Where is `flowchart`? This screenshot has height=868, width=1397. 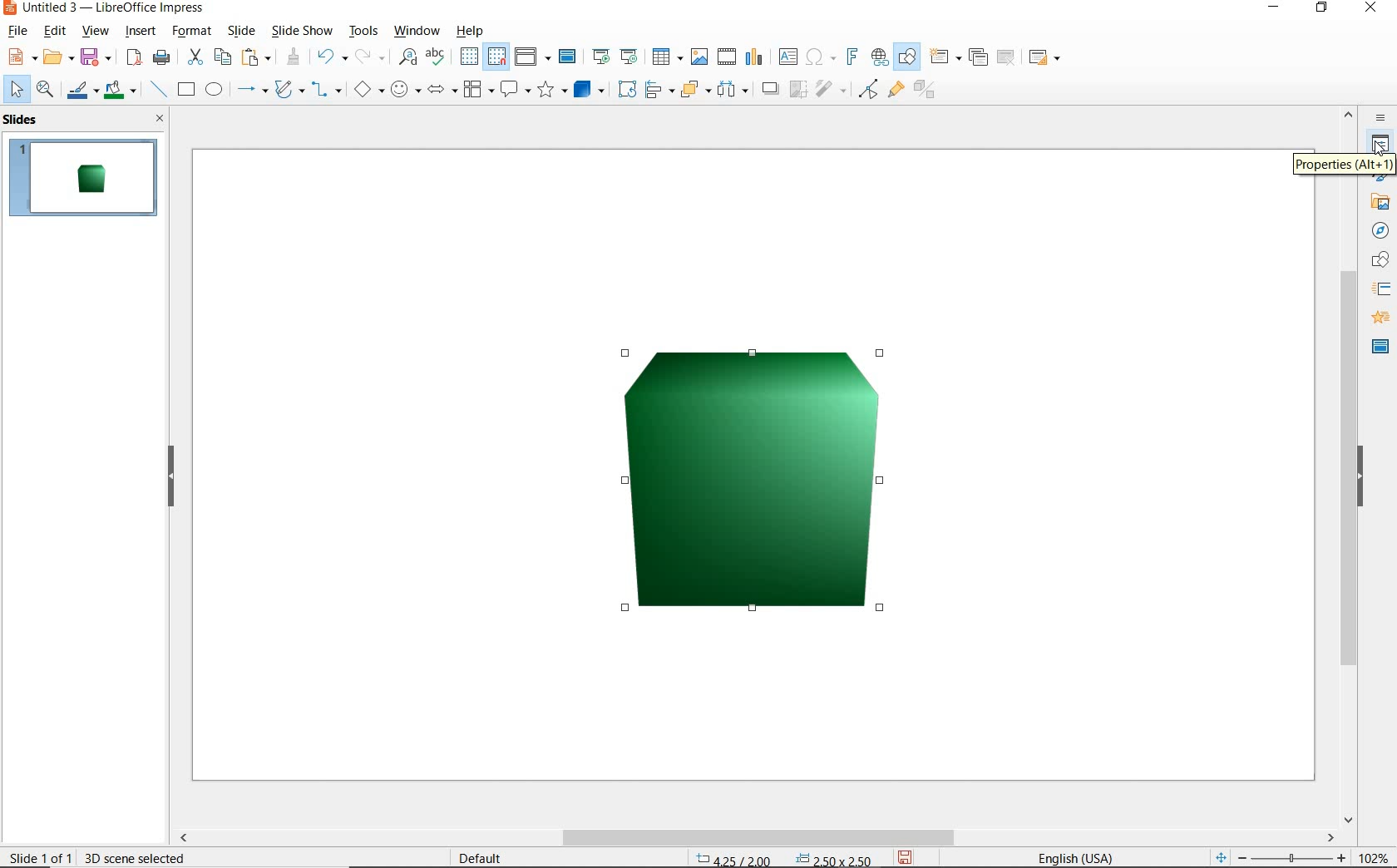 flowchart is located at coordinates (478, 89).